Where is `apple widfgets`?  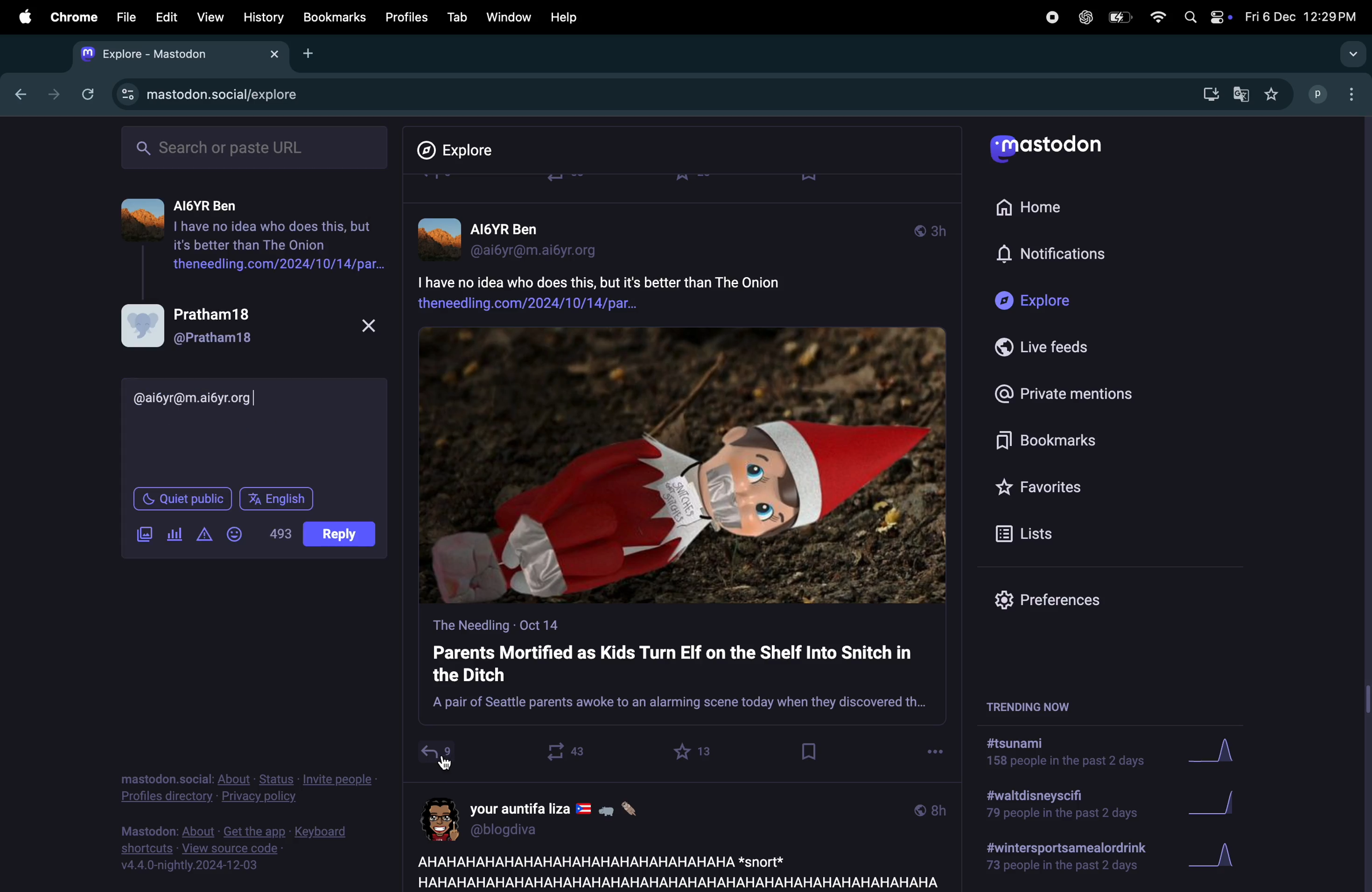 apple widfgets is located at coordinates (1205, 14).